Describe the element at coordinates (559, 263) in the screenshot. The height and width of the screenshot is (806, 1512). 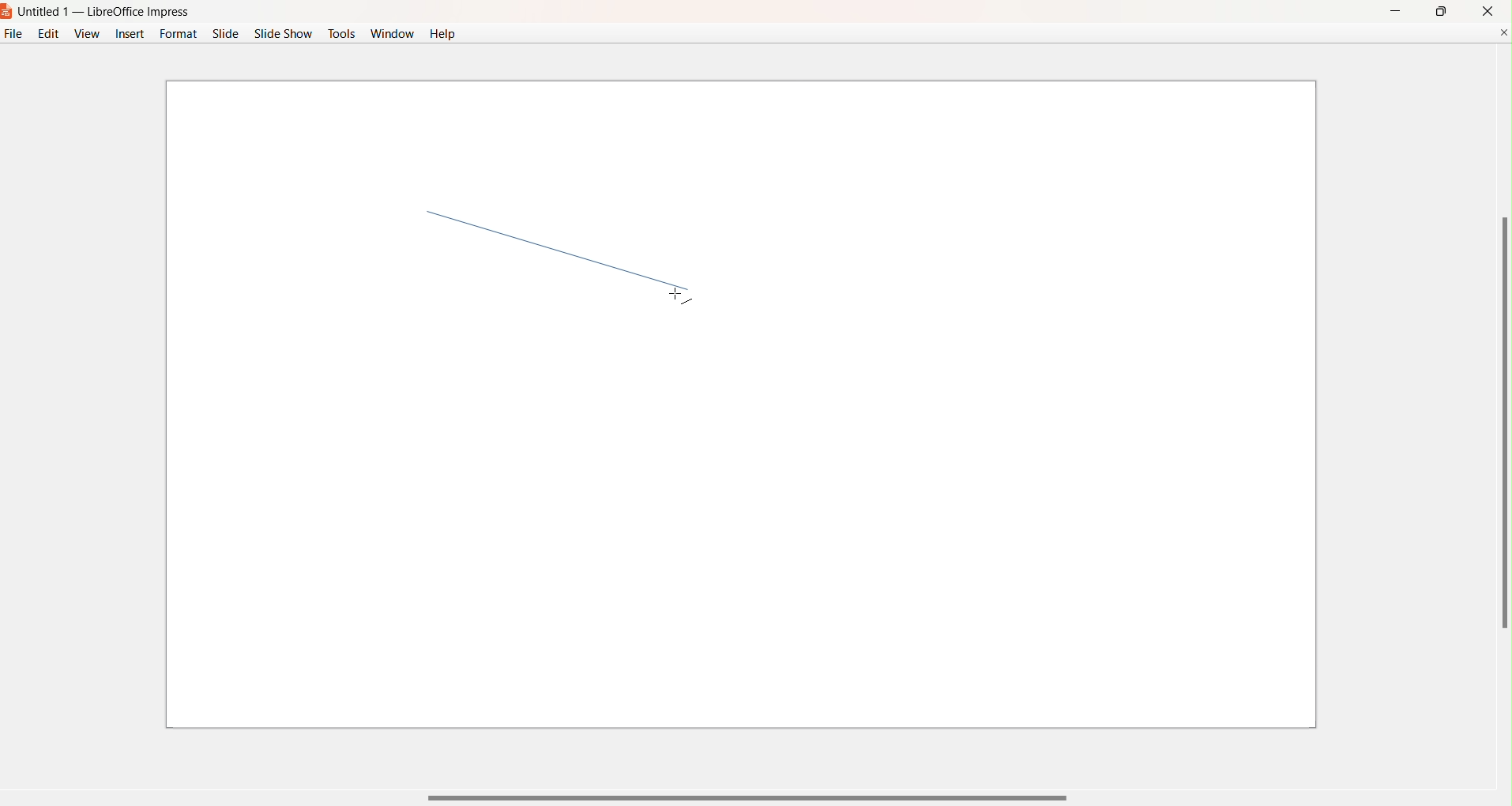
I see `line` at that location.